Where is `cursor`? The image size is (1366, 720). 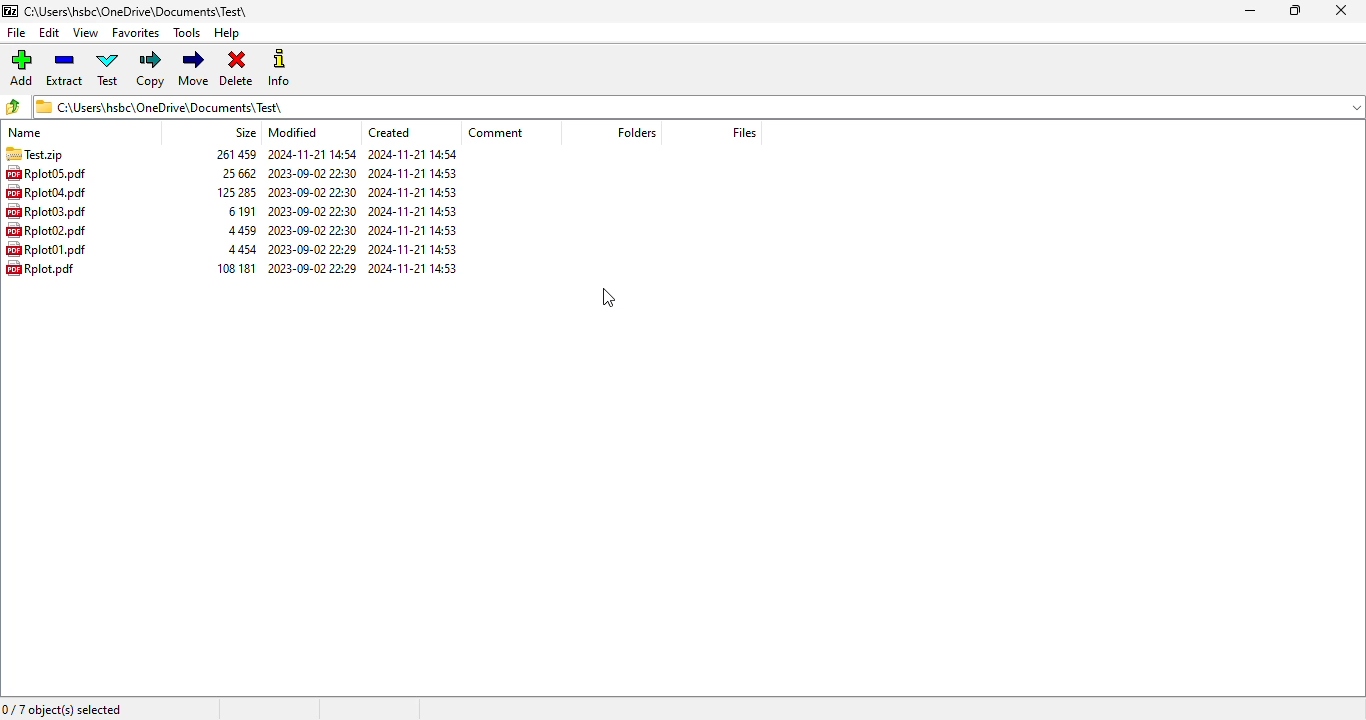 cursor is located at coordinates (607, 298).